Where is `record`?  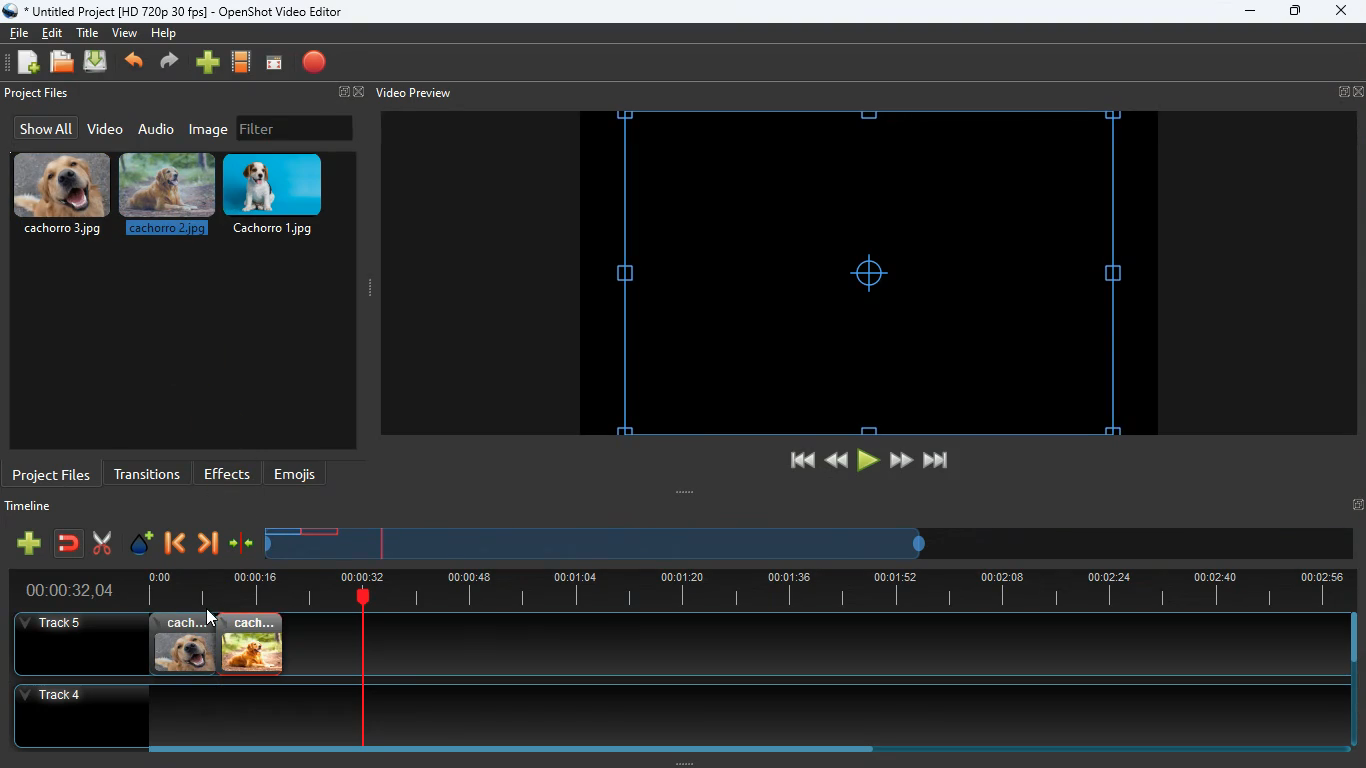
record is located at coordinates (316, 64).